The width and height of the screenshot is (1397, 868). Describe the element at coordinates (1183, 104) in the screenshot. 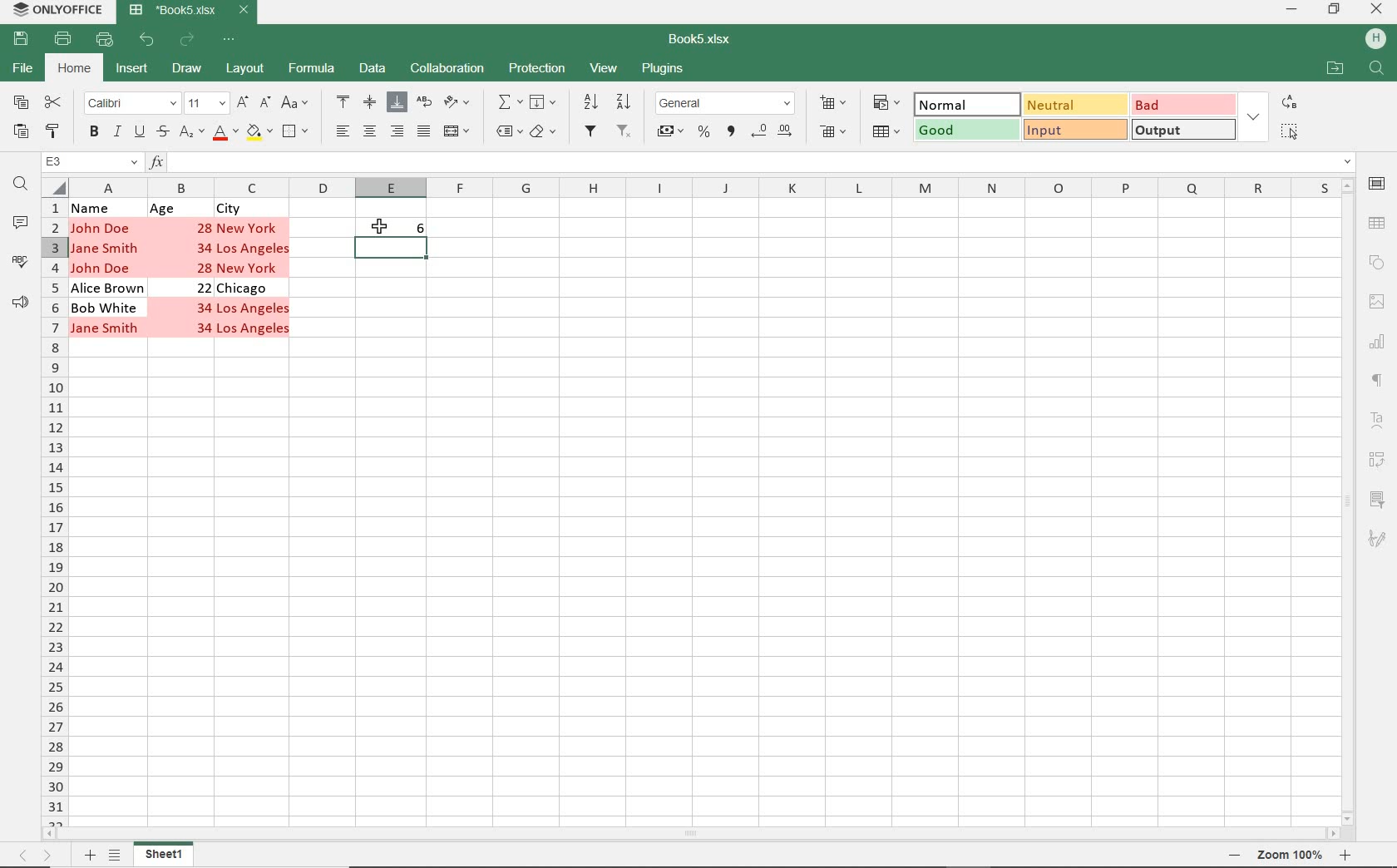

I see `BAD` at that location.